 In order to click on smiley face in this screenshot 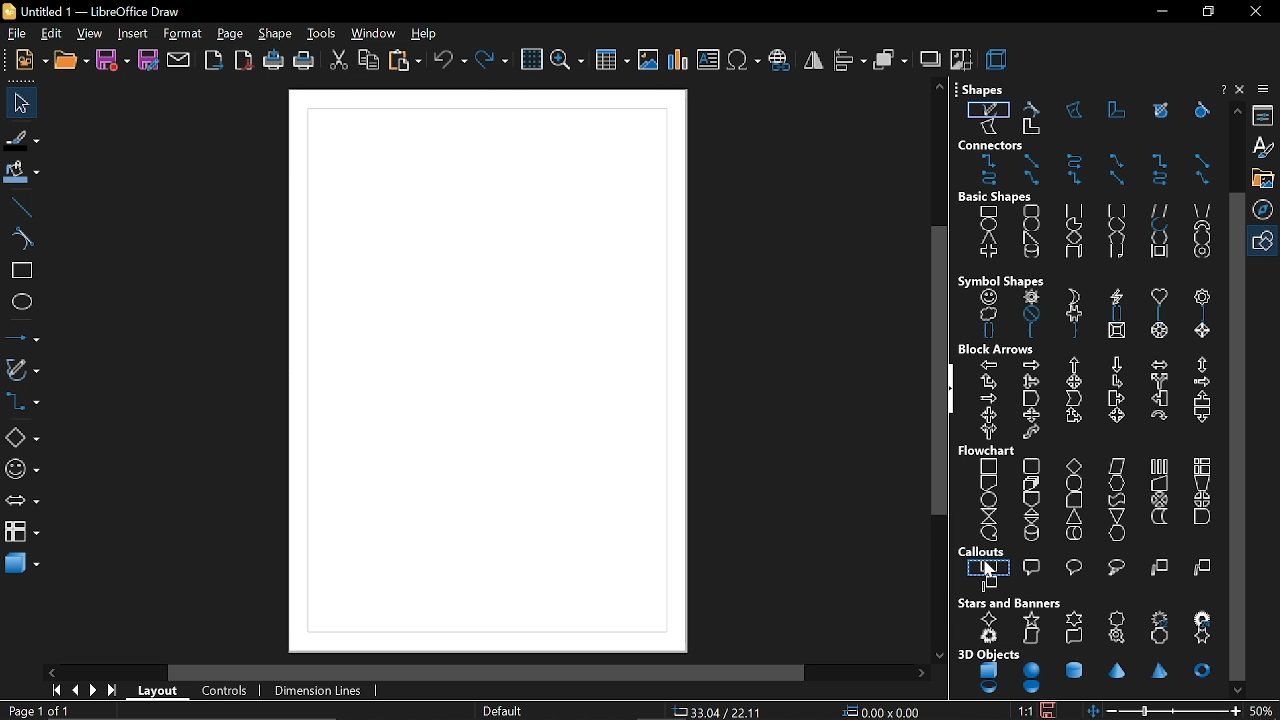, I will do `click(989, 298)`.